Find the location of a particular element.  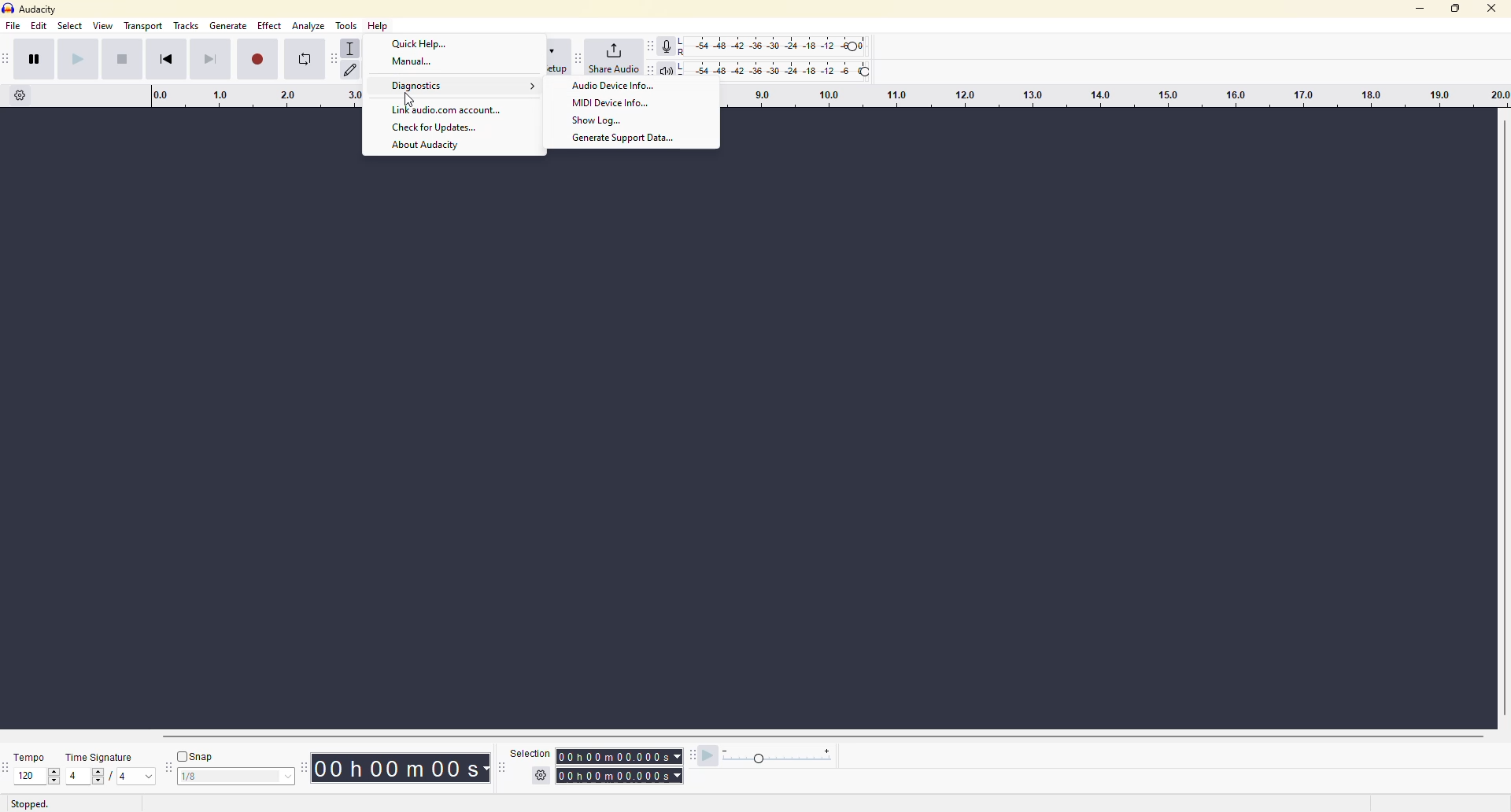

value is located at coordinates (227, 776).